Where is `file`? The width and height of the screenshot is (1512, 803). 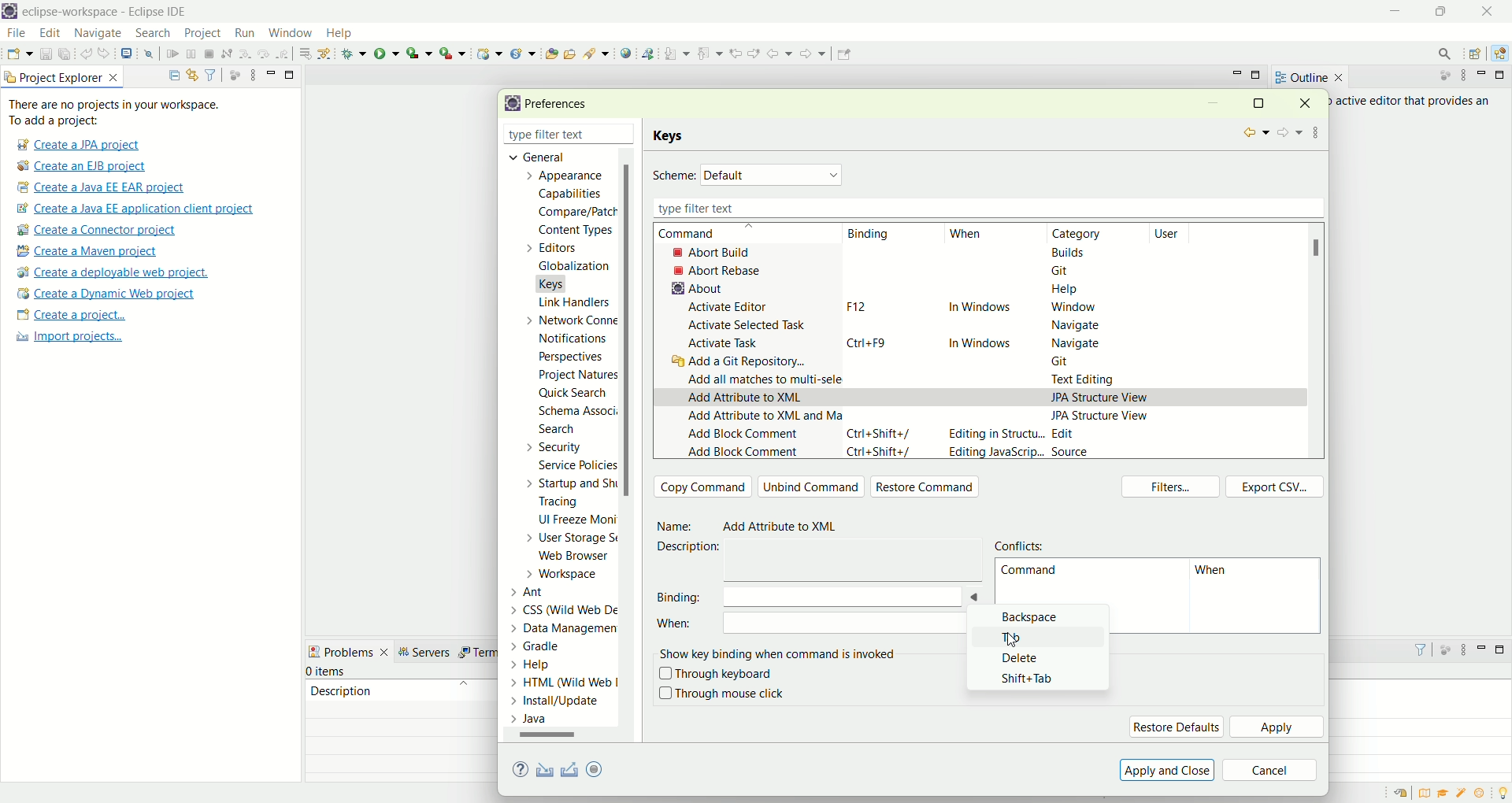 file is located at coordinates (15, 34).